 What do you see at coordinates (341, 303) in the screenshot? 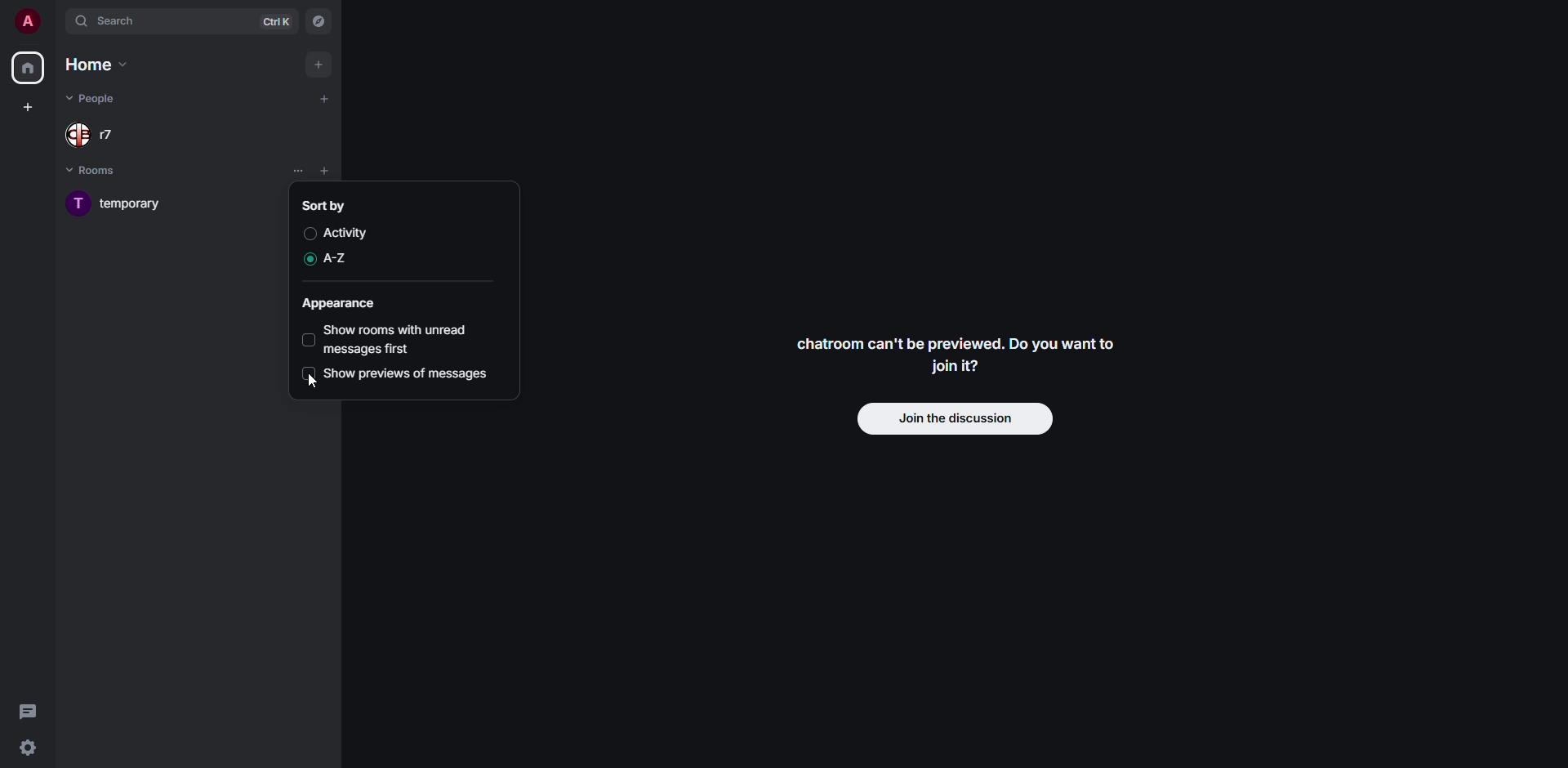
I see `appearance` at bounding box center [341, 303].